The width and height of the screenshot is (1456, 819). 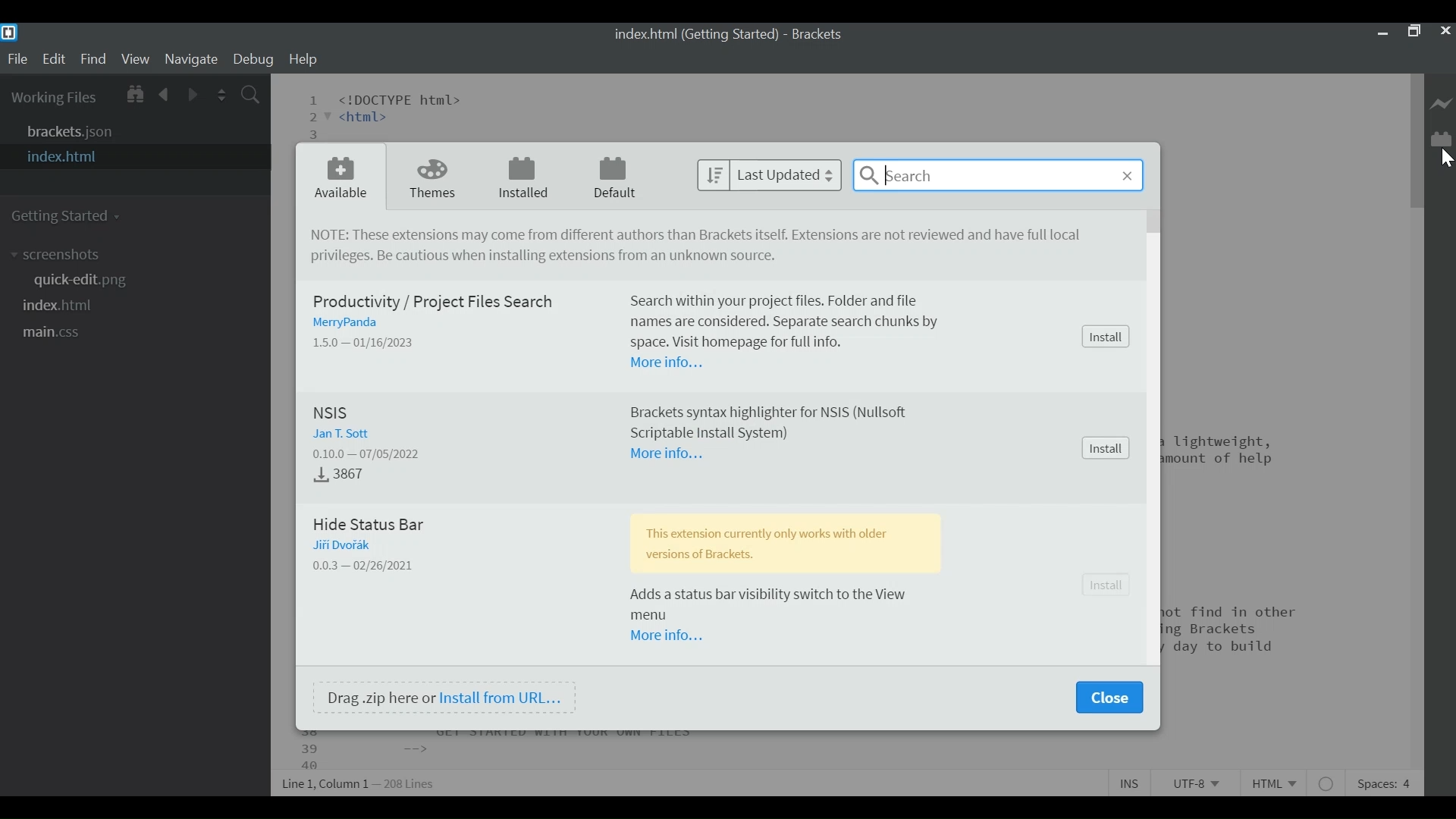 I want to click on Available, so click(x=339, y=178).